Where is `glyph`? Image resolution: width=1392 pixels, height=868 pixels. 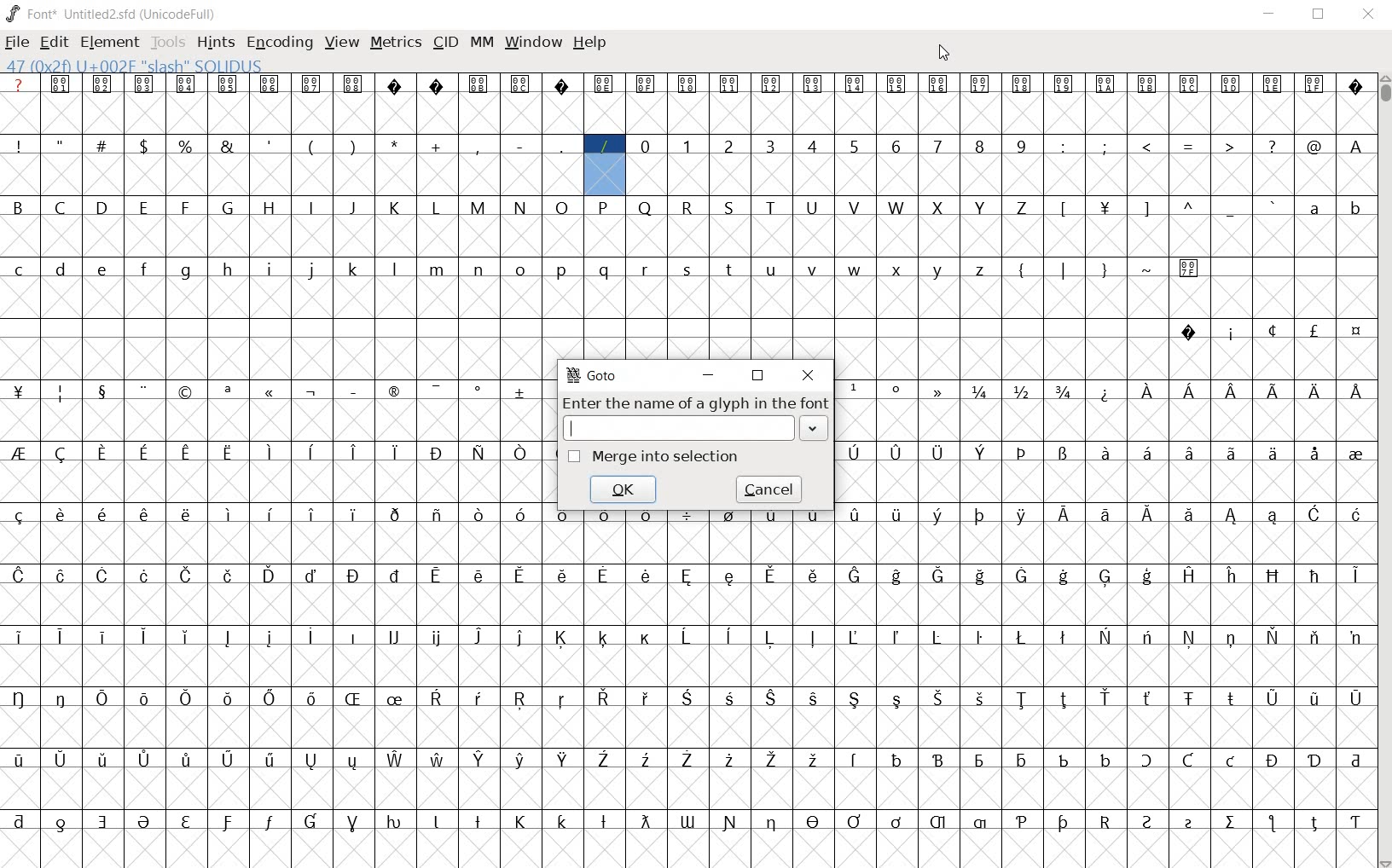 glyph is located at coordinates (1314, 83).